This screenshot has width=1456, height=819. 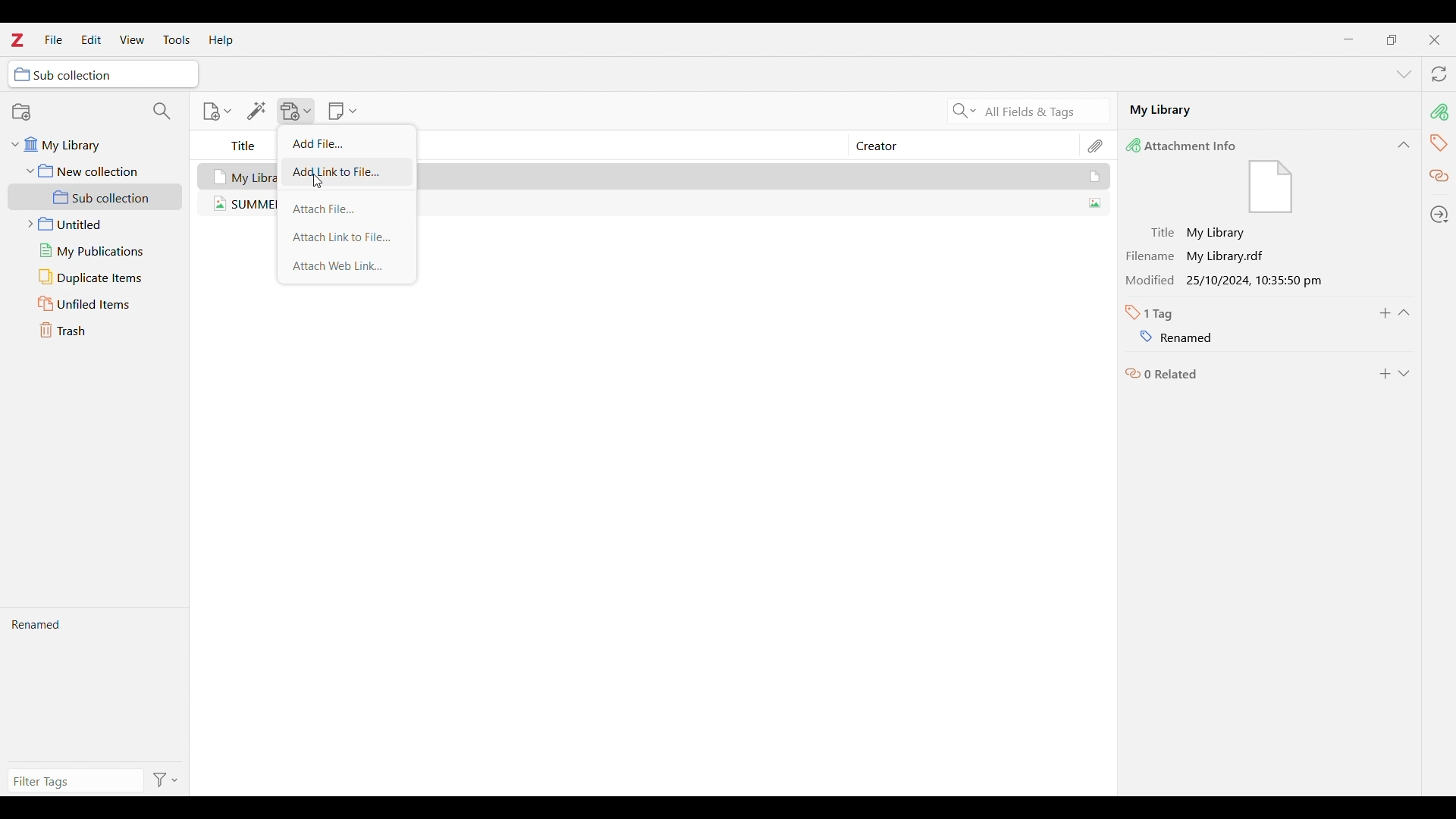 I want to click on Attachment info, so click(x=1440, y=112).